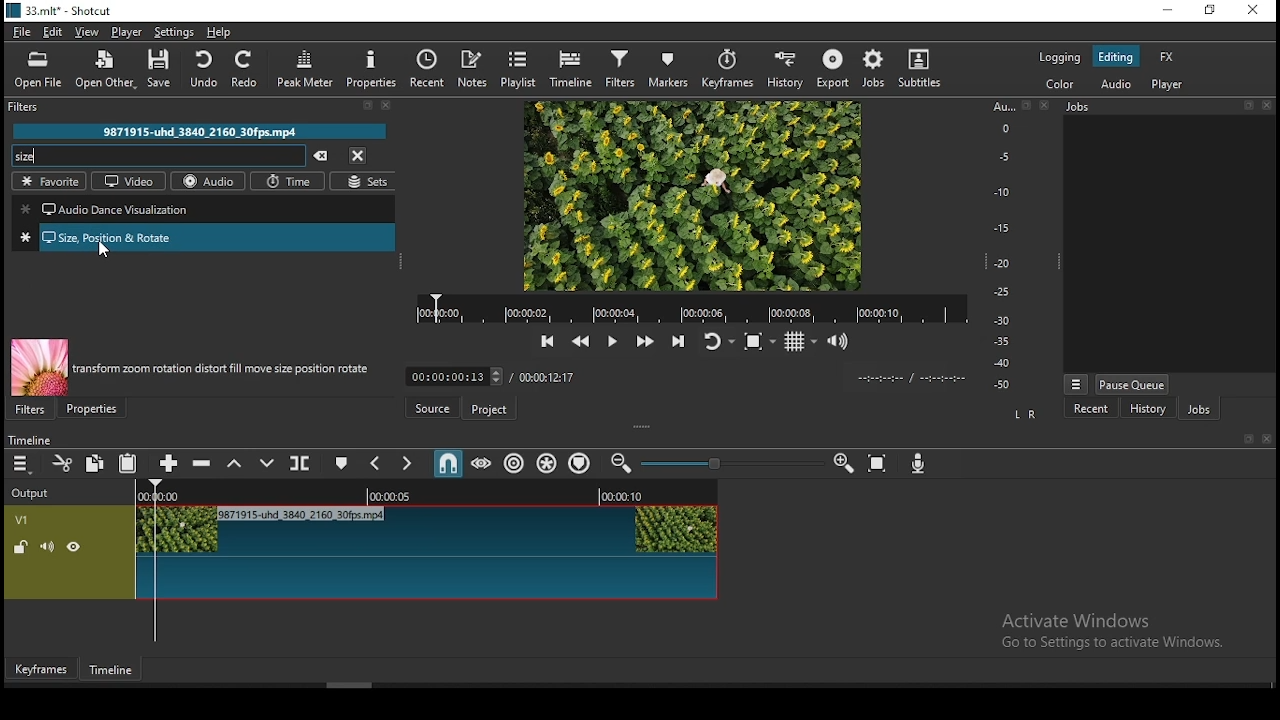 The image size is (1280, 720). Describe the element at coordinates (479, 463) in the screenshot. I see `scrub while dragging` at that location.